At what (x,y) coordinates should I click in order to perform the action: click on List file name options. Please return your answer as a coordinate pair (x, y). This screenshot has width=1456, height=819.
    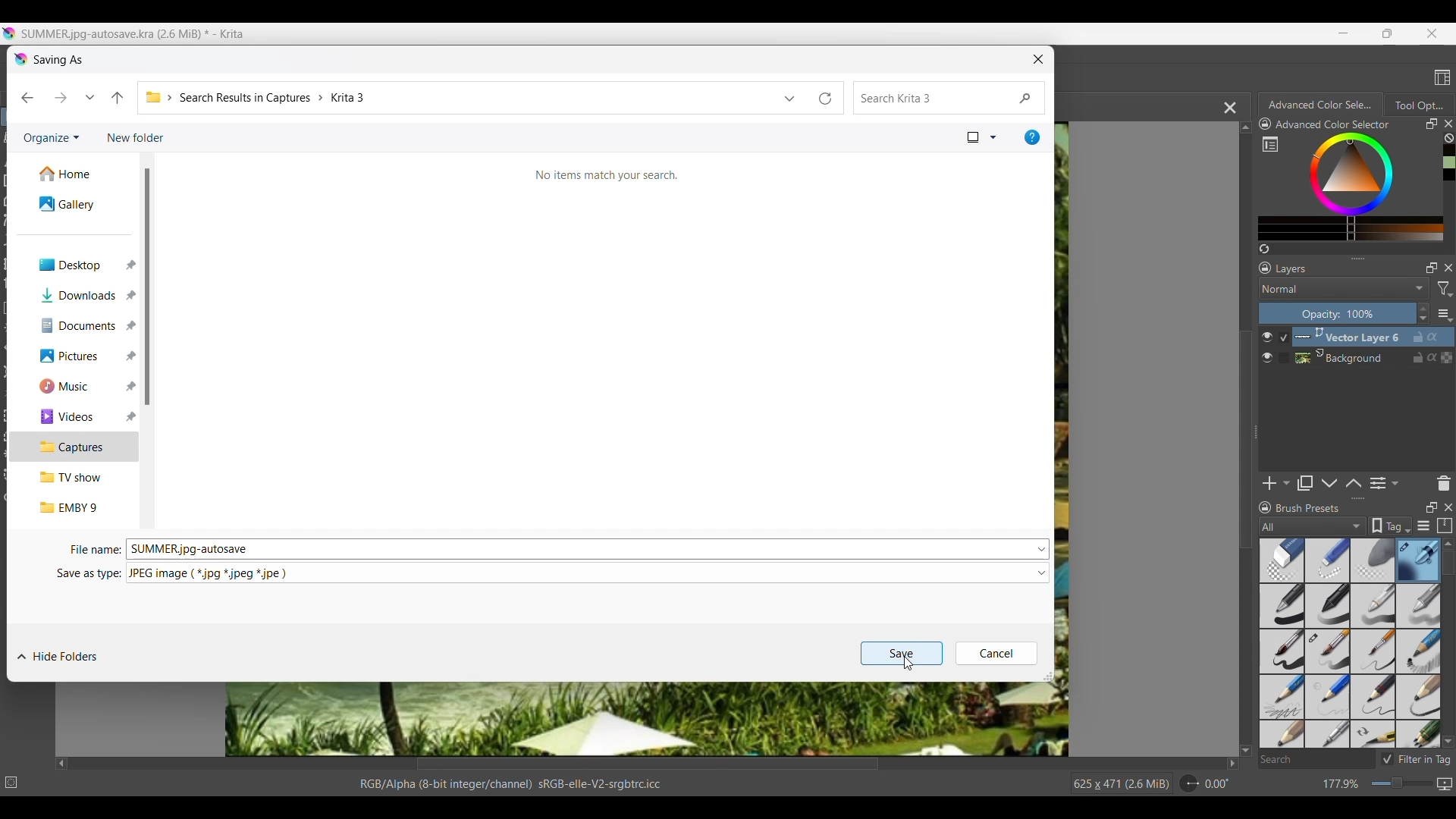
    Looking at the image, I should click on (1042, 549).